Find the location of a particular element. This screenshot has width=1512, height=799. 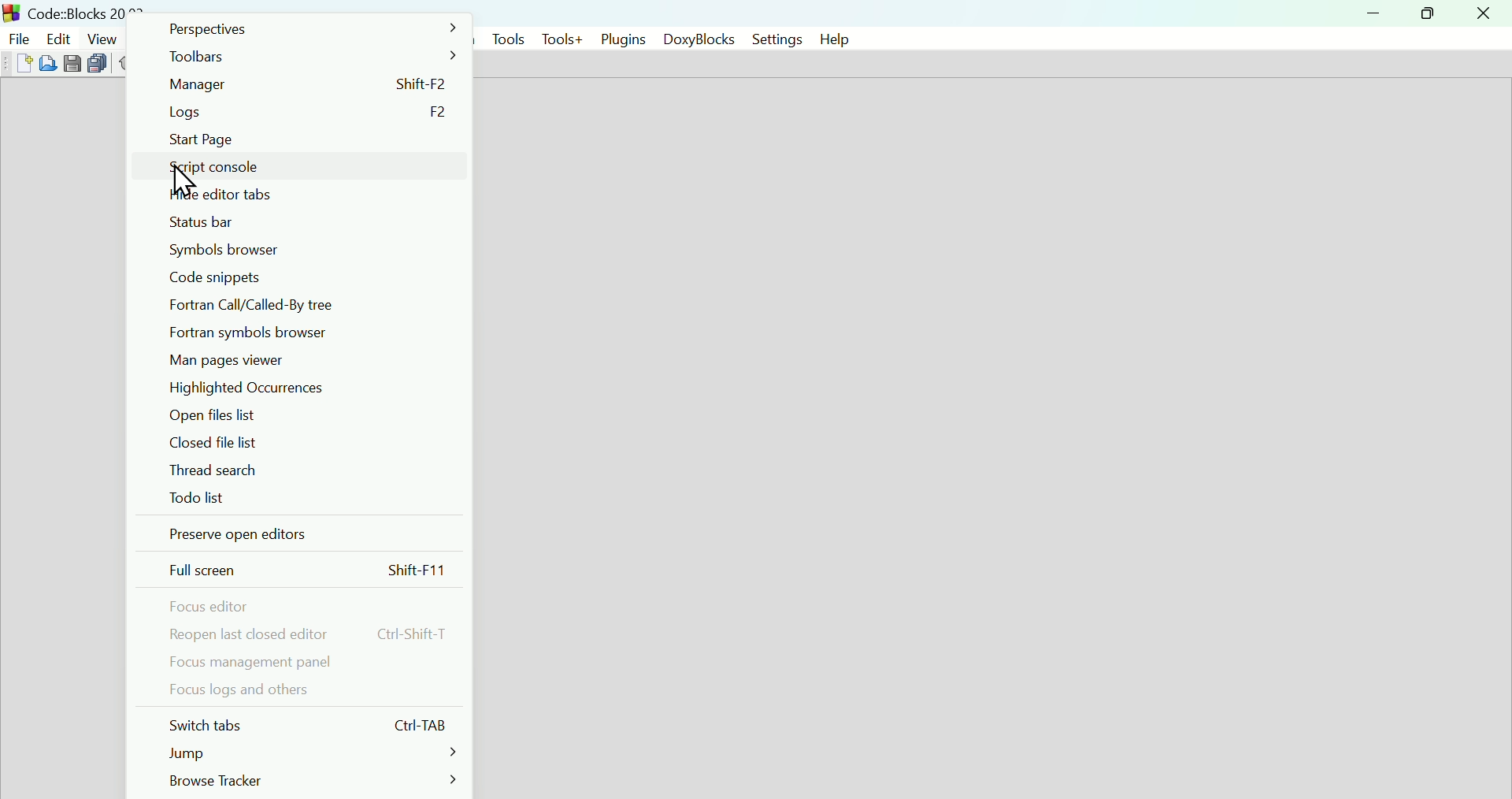

Thread search is located at coordinates (303, 469).